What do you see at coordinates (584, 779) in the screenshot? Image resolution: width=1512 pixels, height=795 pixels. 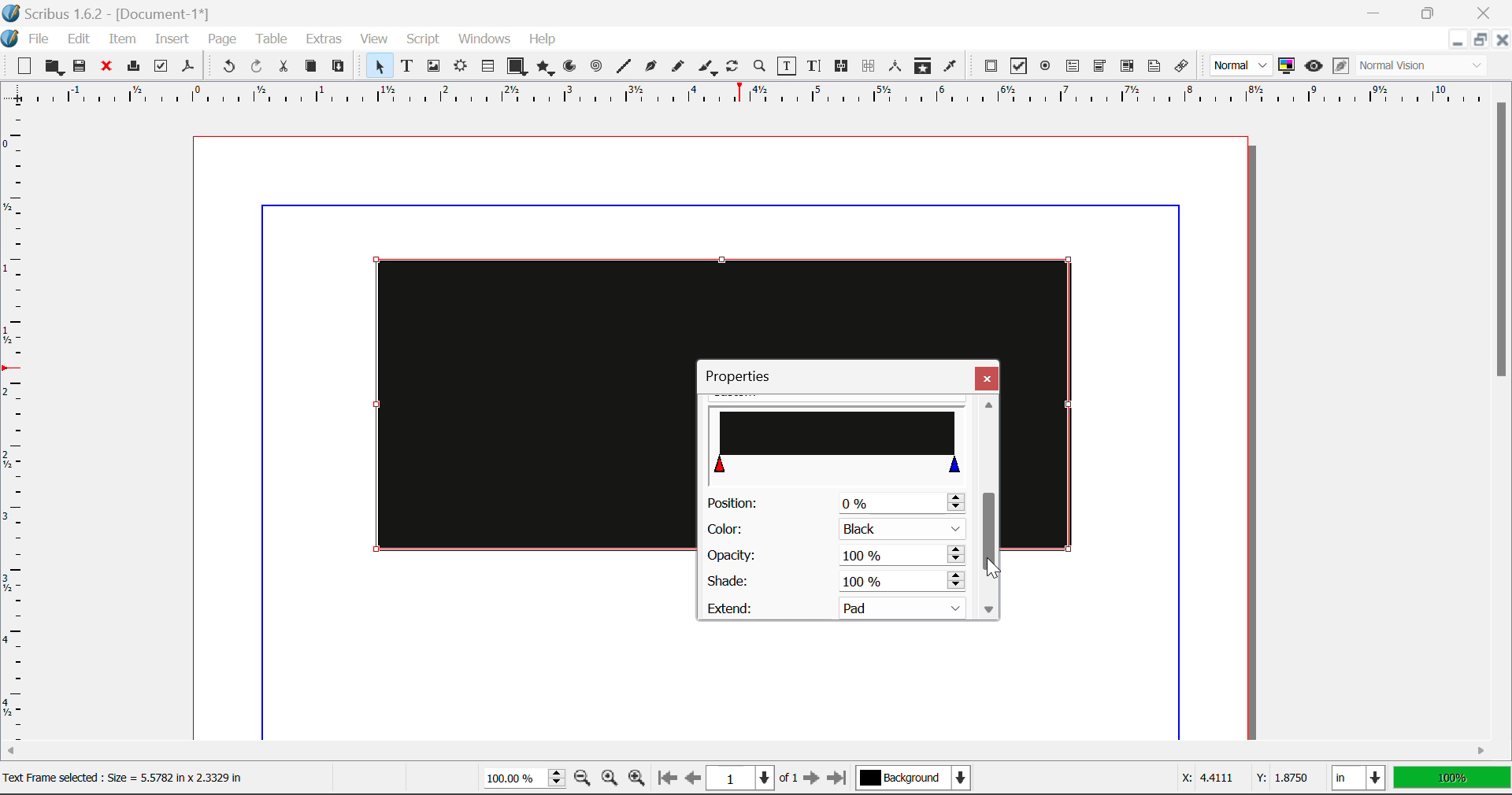 I see `Zoom Out` at bounding box center [584, 779].